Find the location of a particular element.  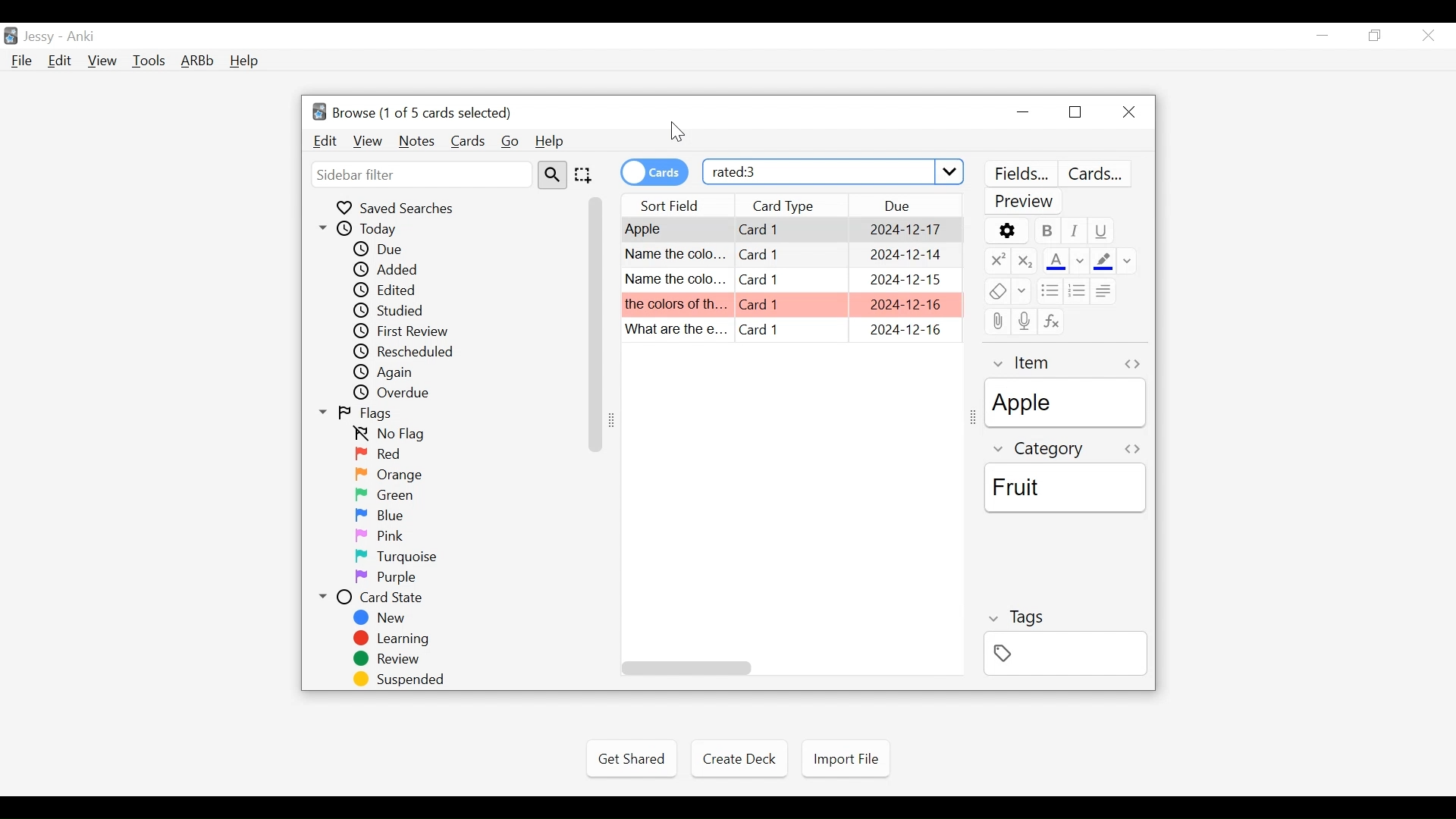

Card Type is located at coordinates (789, 331).